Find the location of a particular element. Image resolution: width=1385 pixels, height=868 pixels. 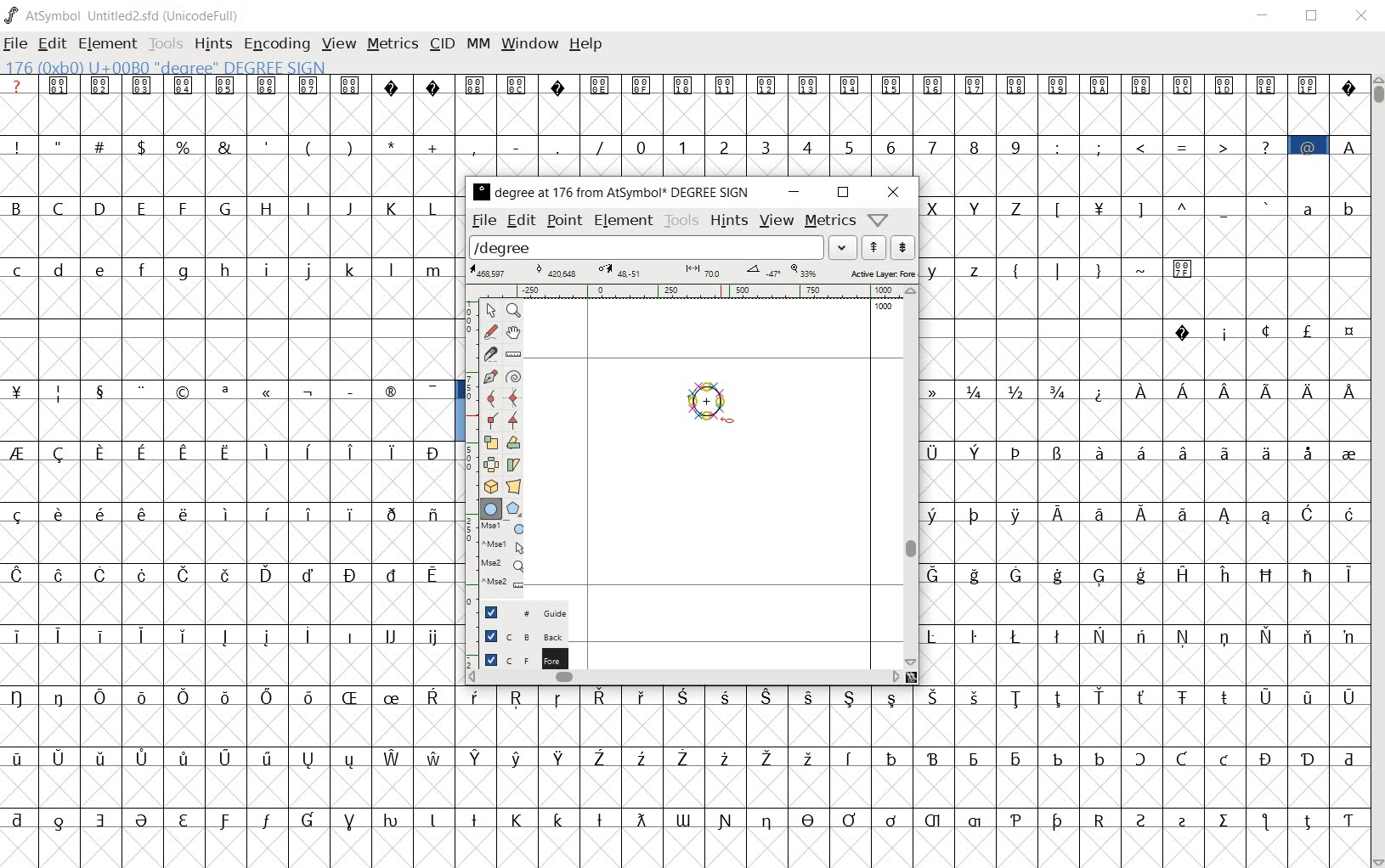

file is located at coordinates (484, 222).